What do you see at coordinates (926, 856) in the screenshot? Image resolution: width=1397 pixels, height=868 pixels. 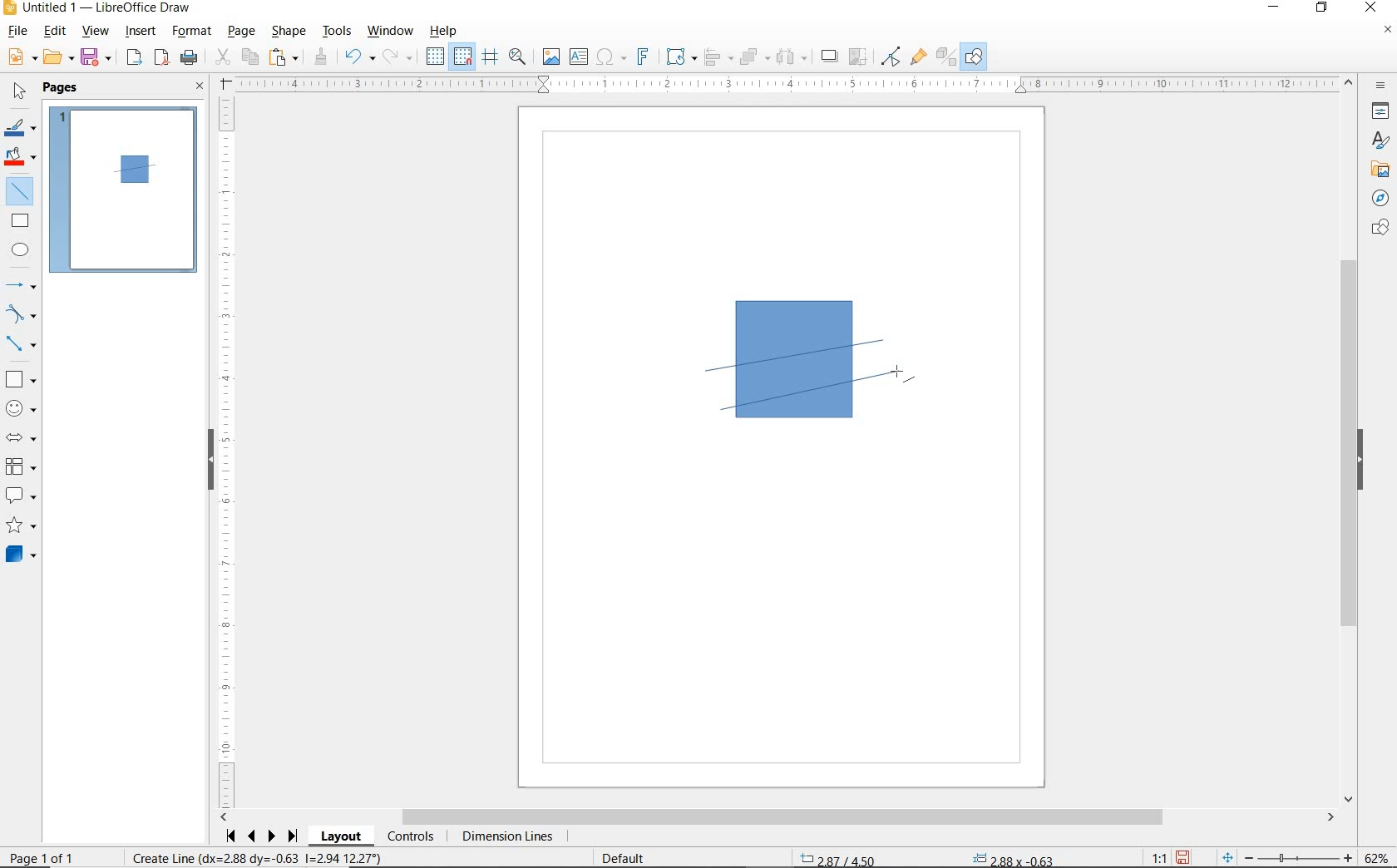 I see `STANDARD SELECTION` at bounding box center [926, 856].